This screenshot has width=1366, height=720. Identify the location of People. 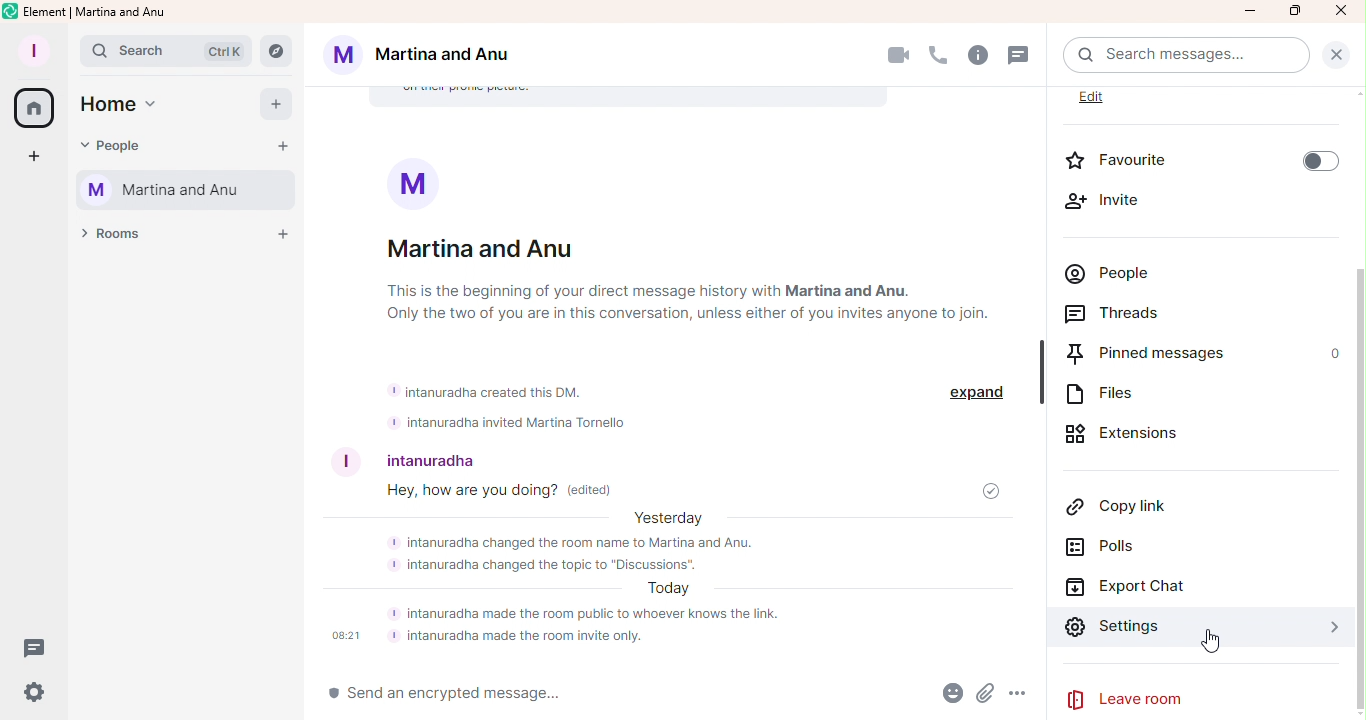
(126, 149).